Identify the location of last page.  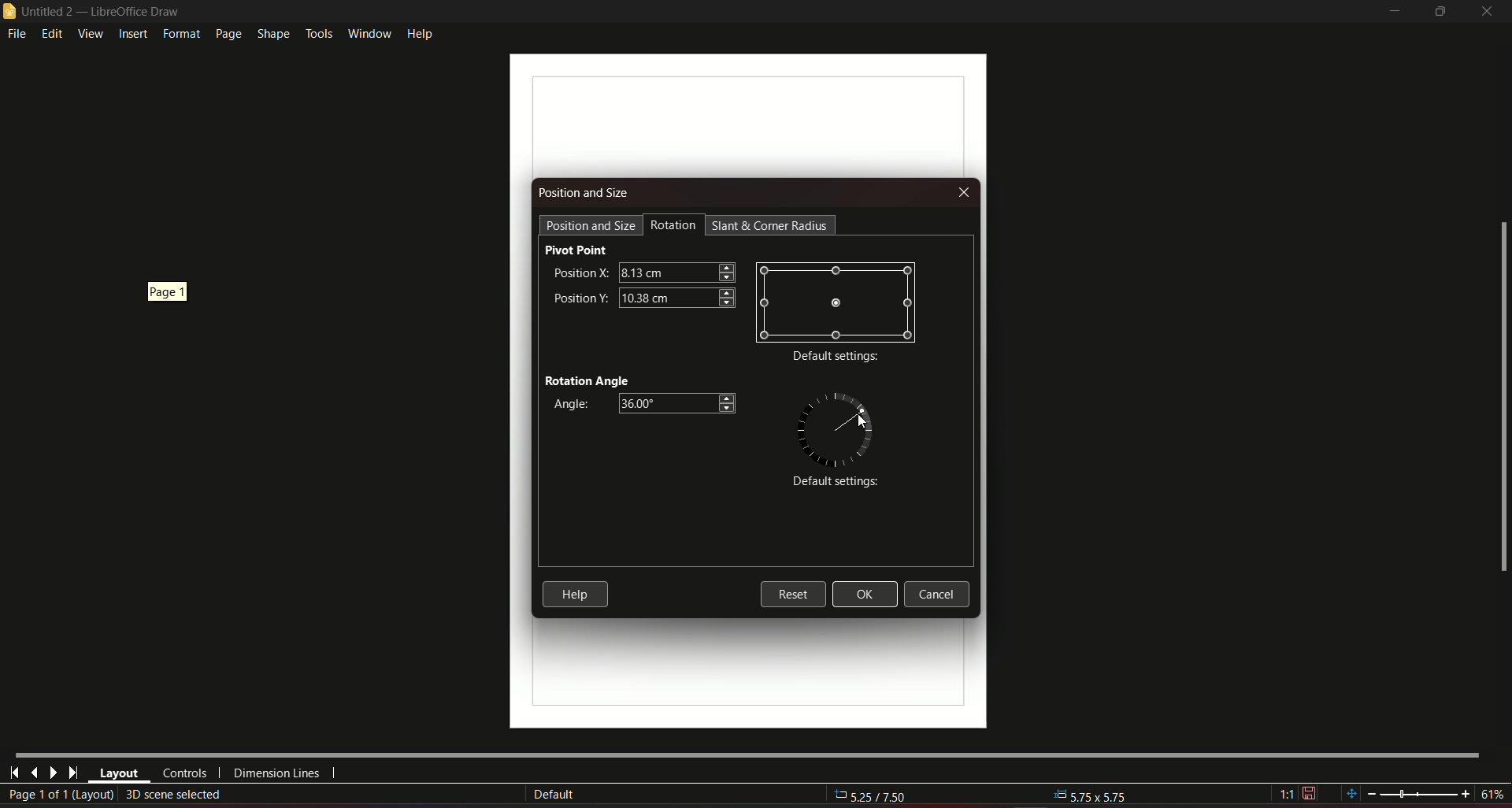
(34, 772).